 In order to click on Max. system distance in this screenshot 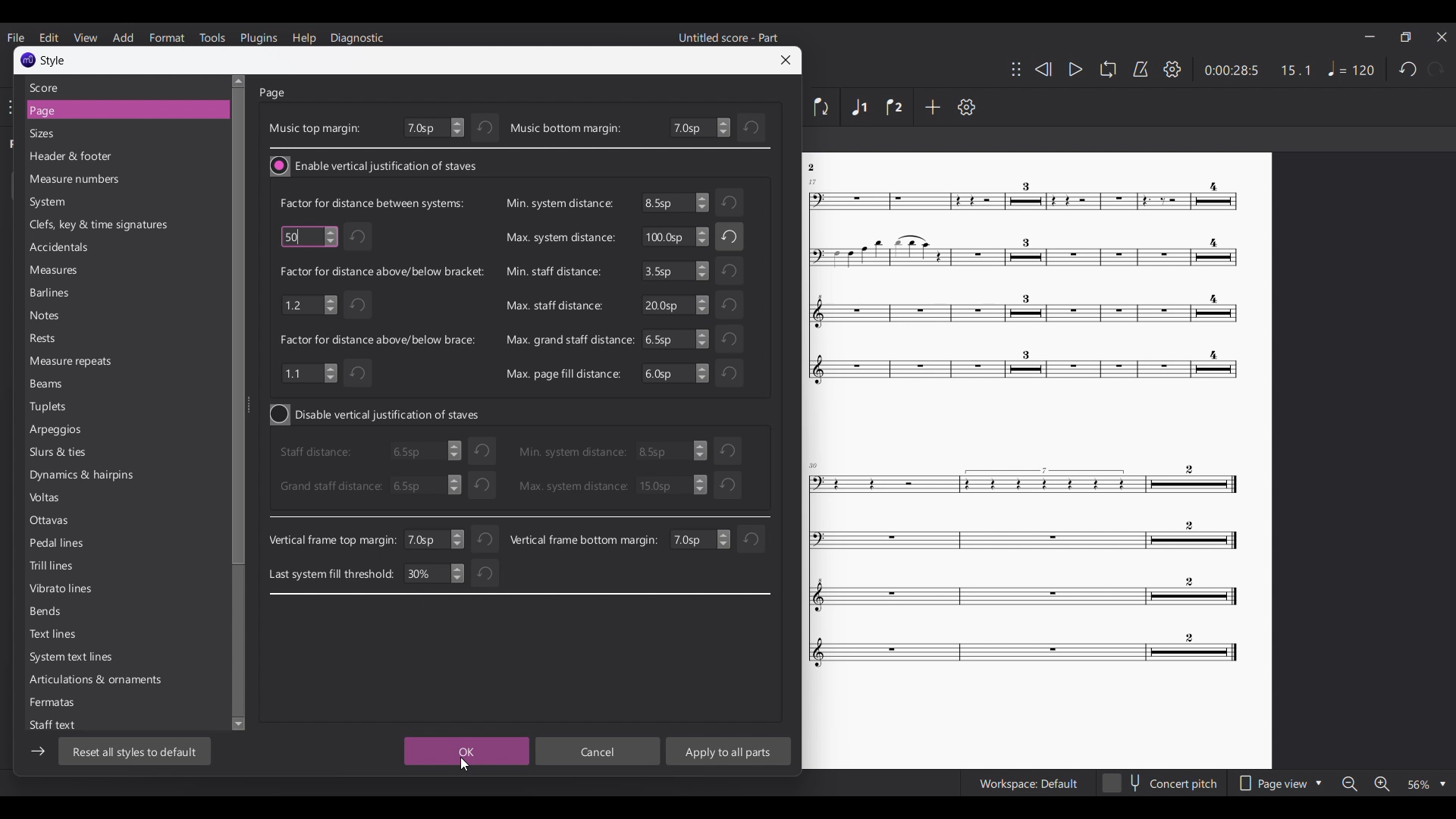, I will do `click(572, 486)`.